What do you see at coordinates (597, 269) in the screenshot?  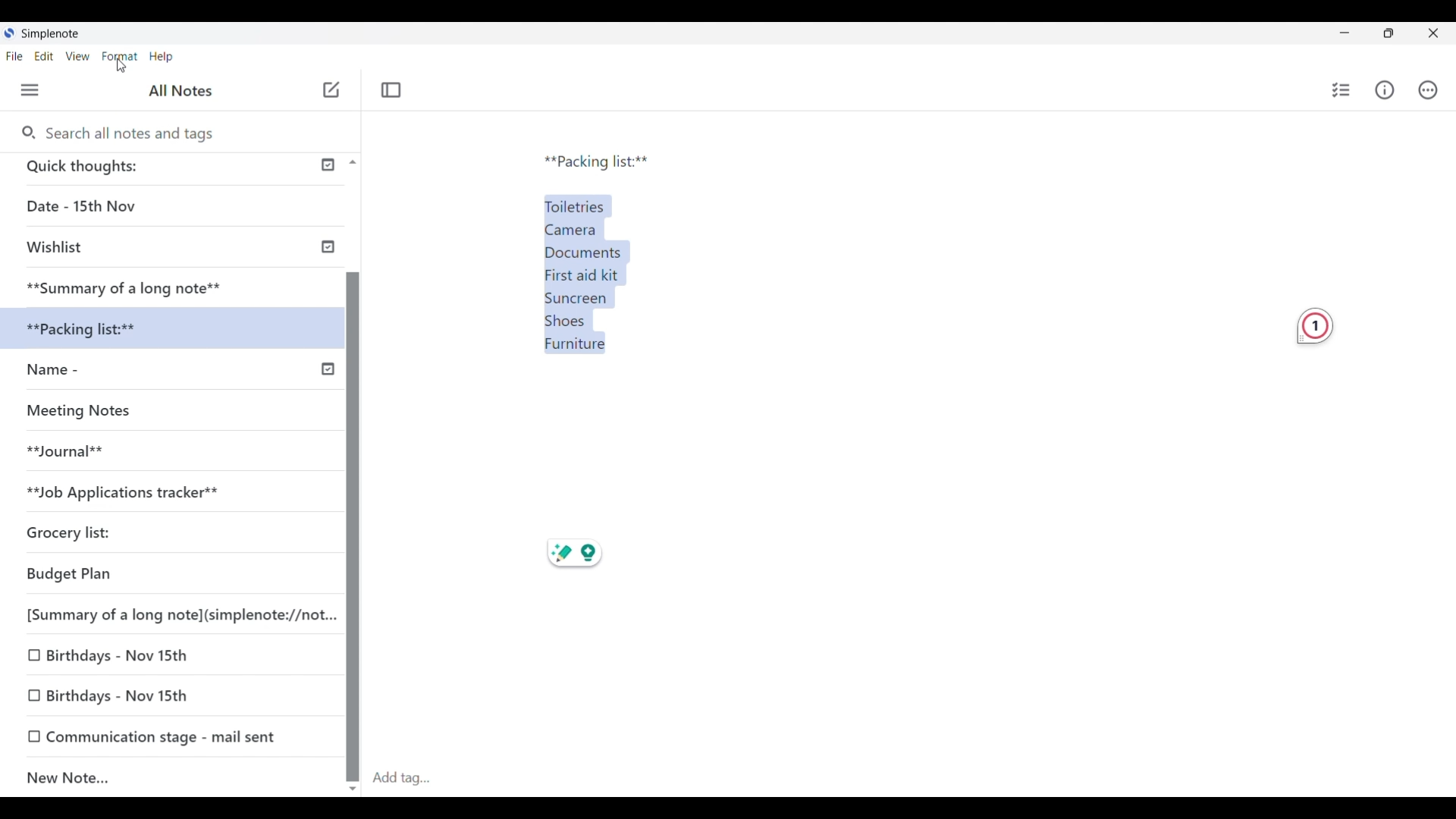 I see `Text selected` at bounding box center [597, 269].